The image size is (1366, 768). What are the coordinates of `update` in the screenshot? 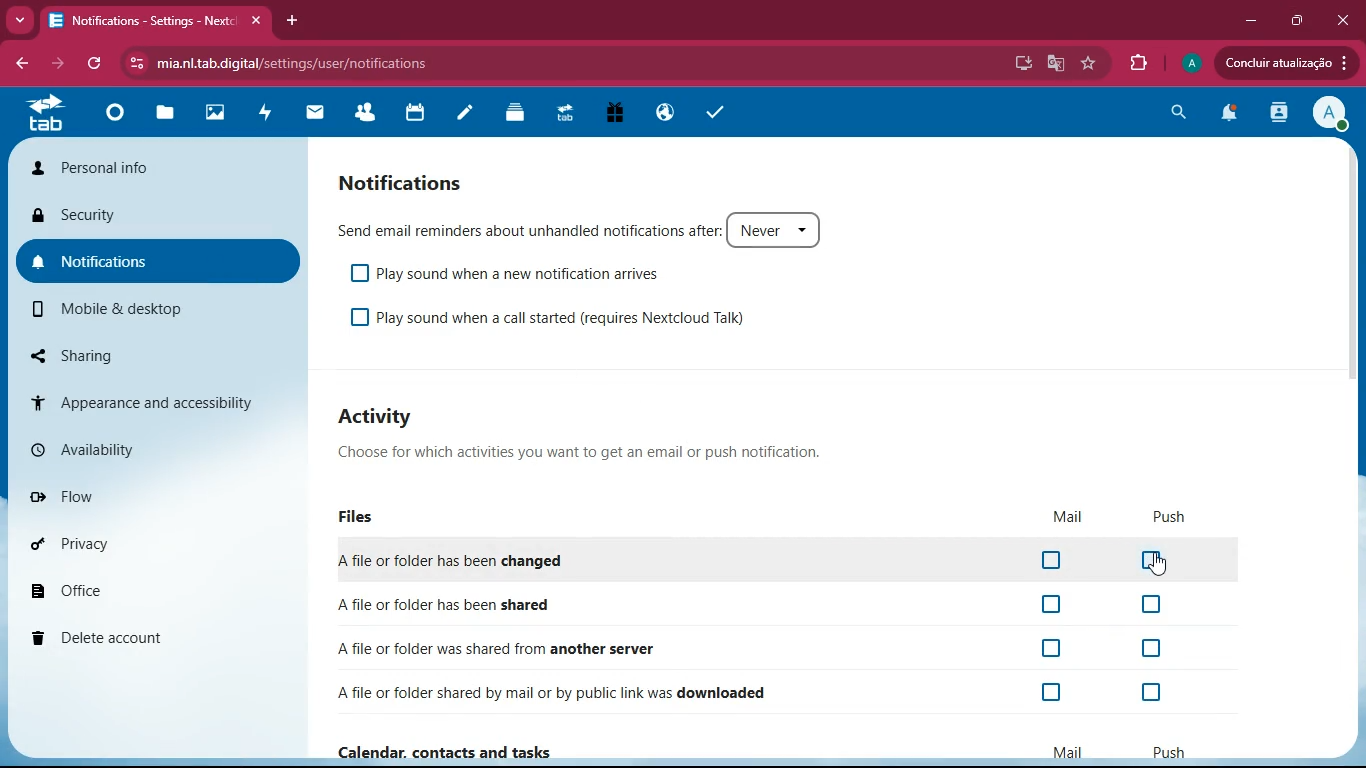 It's located at (1287, 64).